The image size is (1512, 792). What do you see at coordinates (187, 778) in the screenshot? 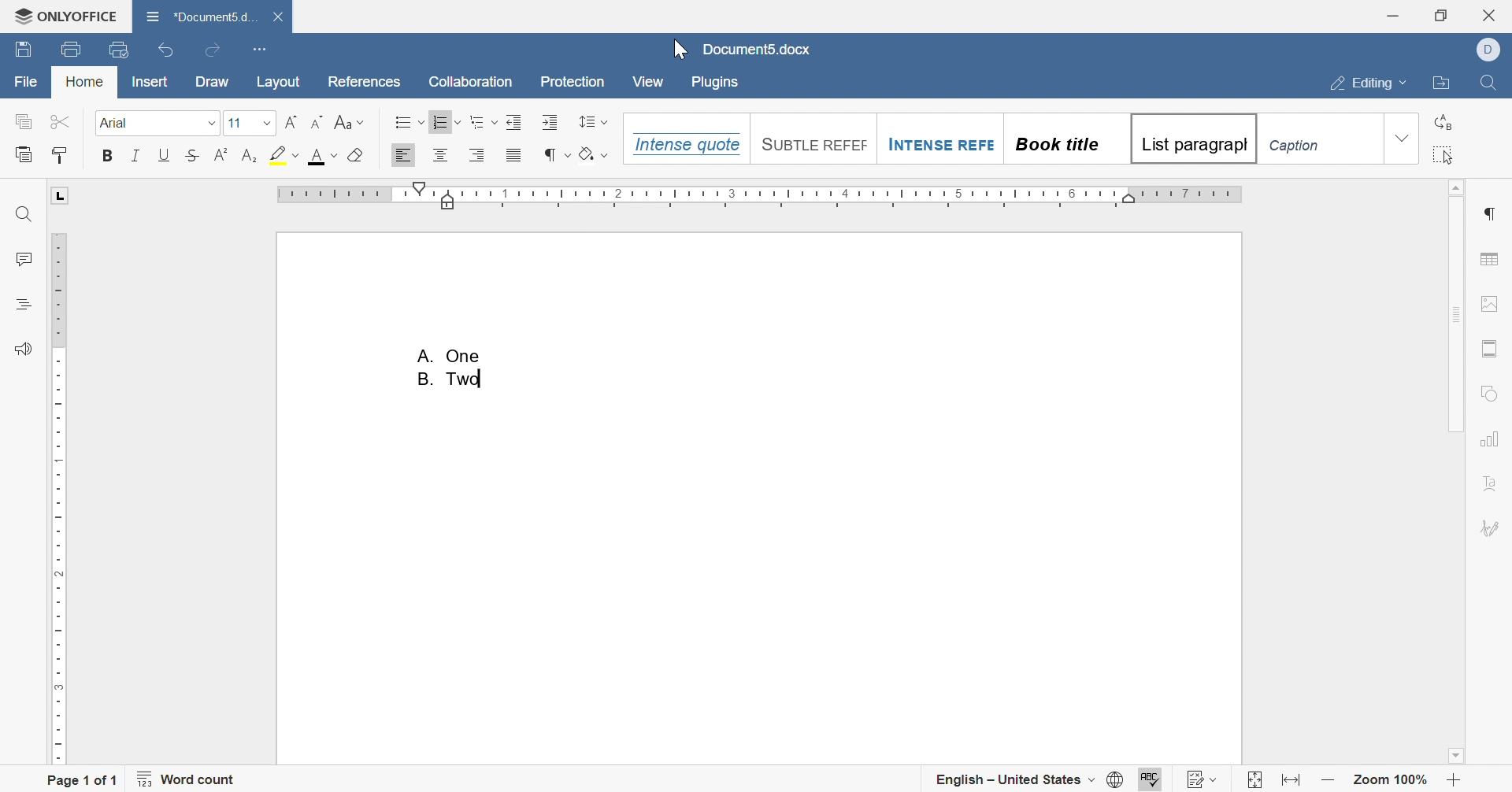
I see `word count` at bounding box center [187, 778].